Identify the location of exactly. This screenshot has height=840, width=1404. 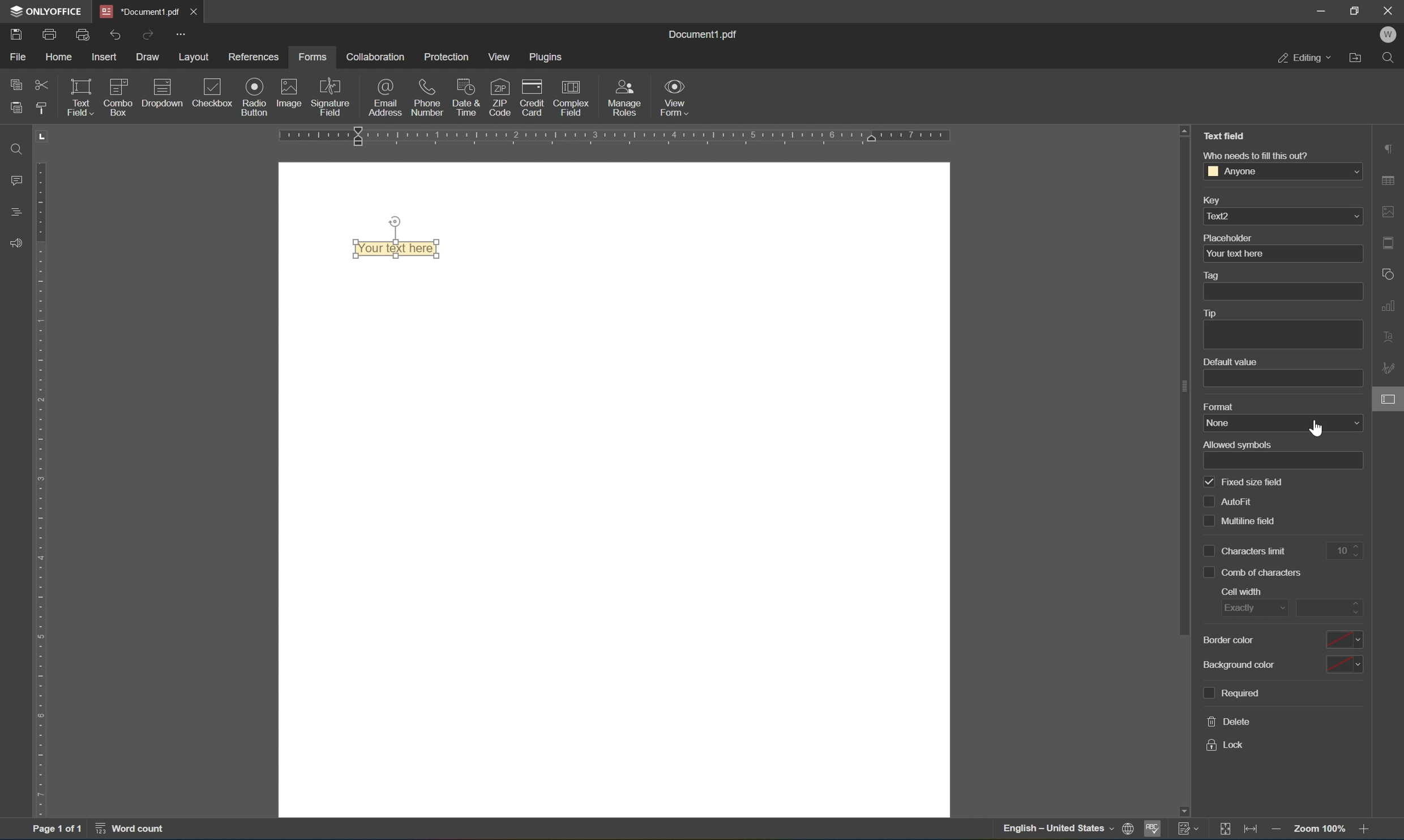
(1252, 610).